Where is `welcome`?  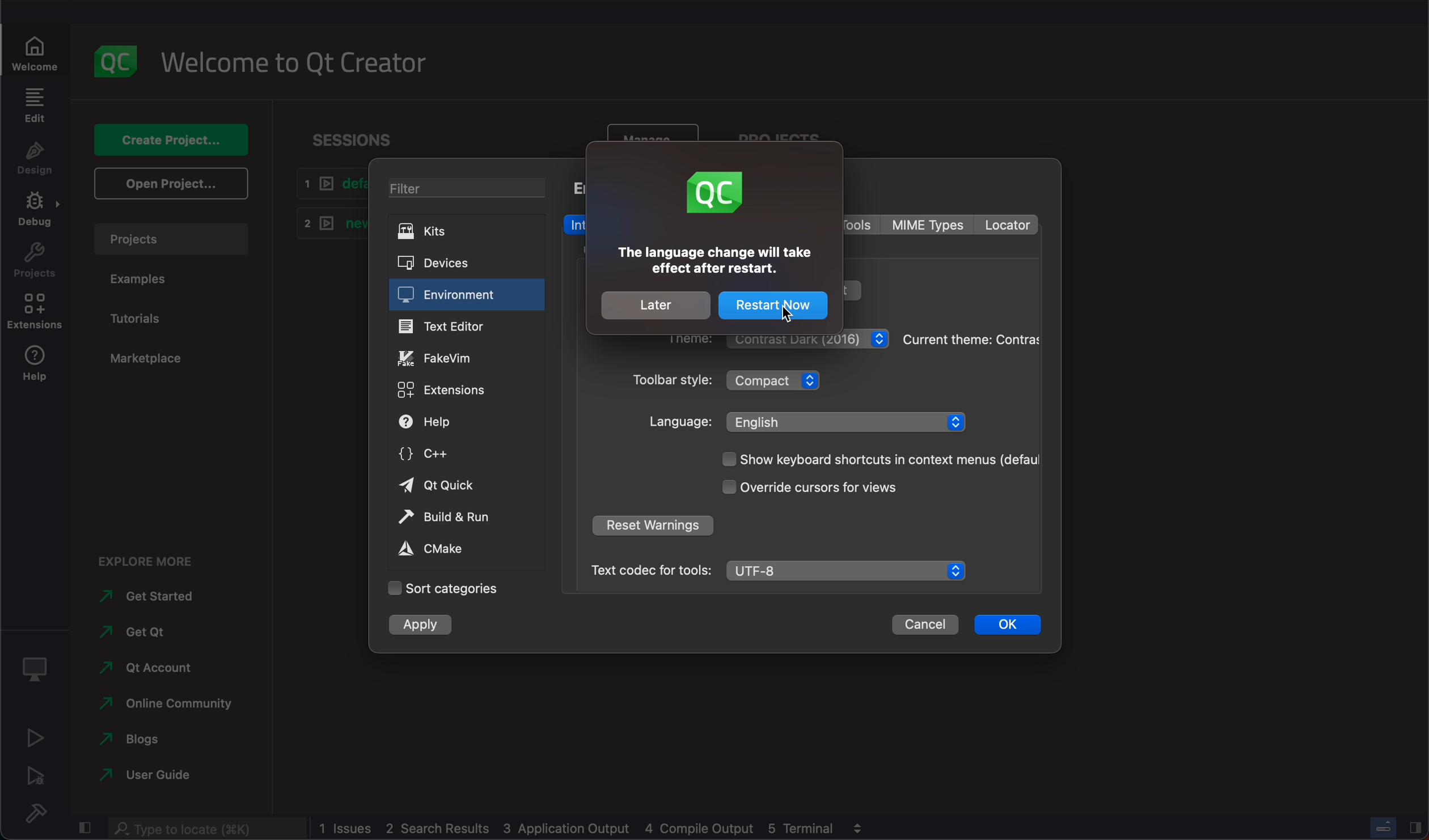
welcome is located at coordinates (36, 52).